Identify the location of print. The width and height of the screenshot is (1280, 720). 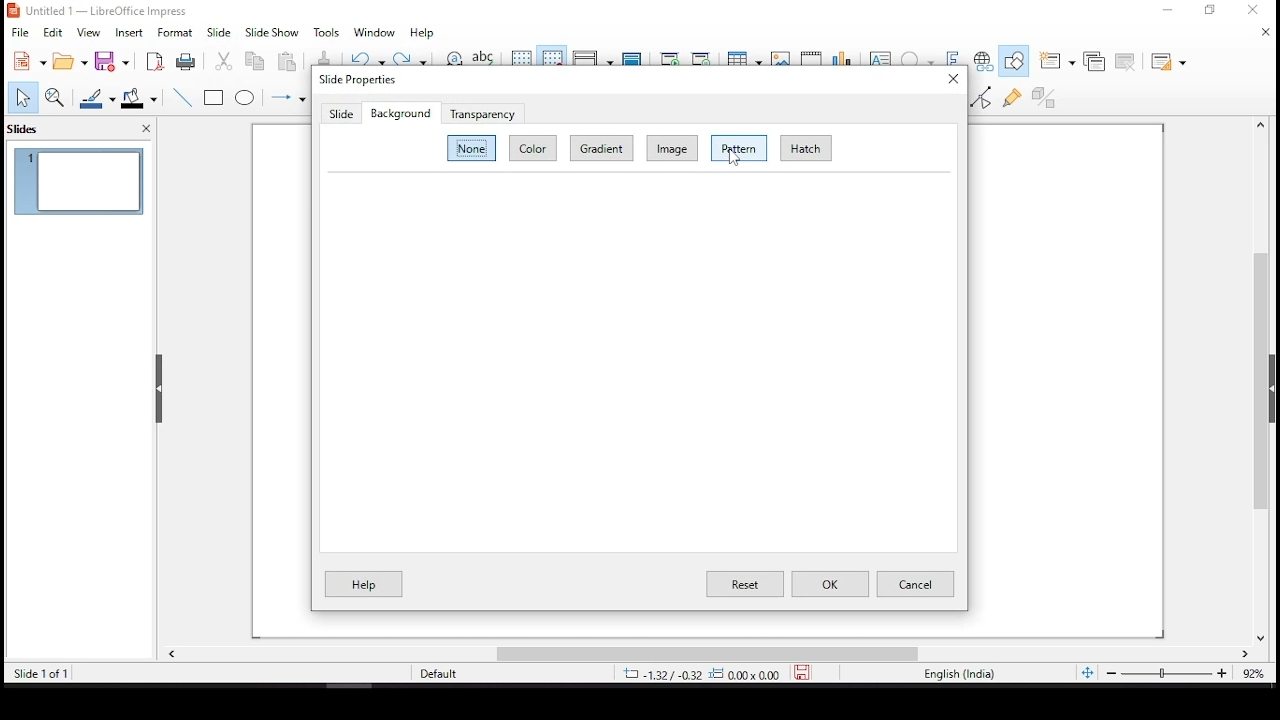
(186, 63).